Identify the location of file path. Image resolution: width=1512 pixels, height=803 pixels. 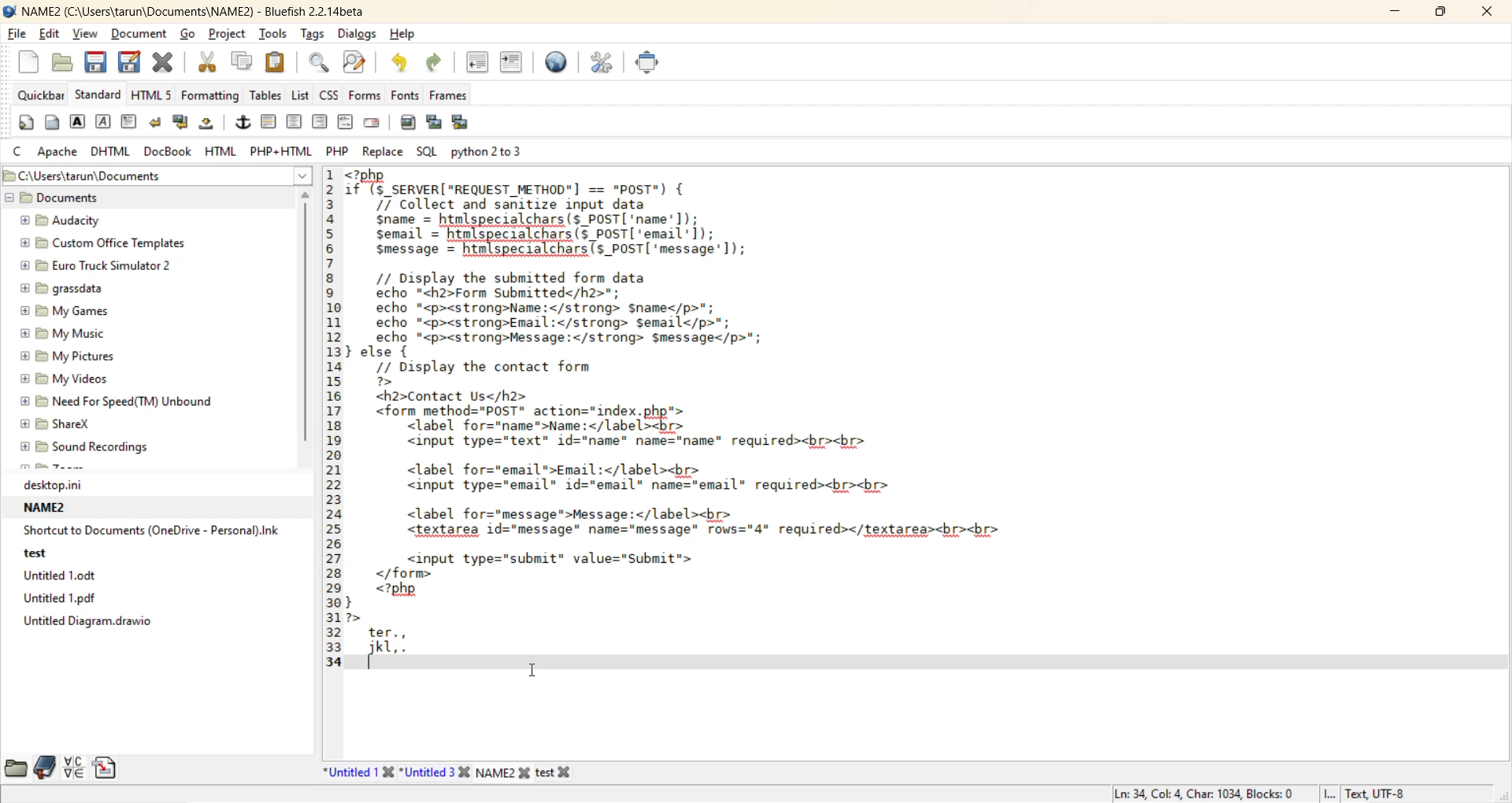
(159, 174).